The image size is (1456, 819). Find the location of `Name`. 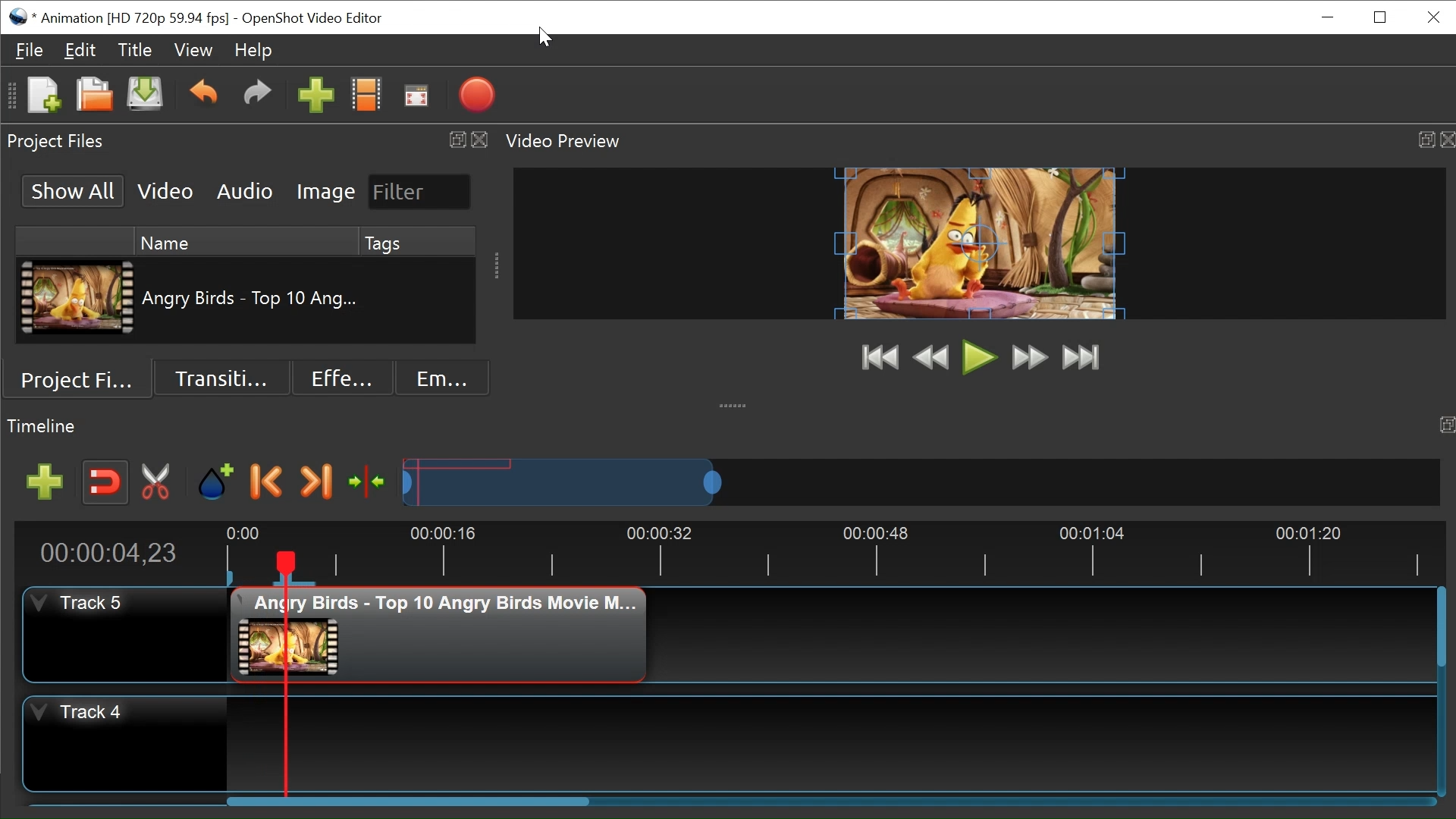

Name is located at coordinates (244, 240).